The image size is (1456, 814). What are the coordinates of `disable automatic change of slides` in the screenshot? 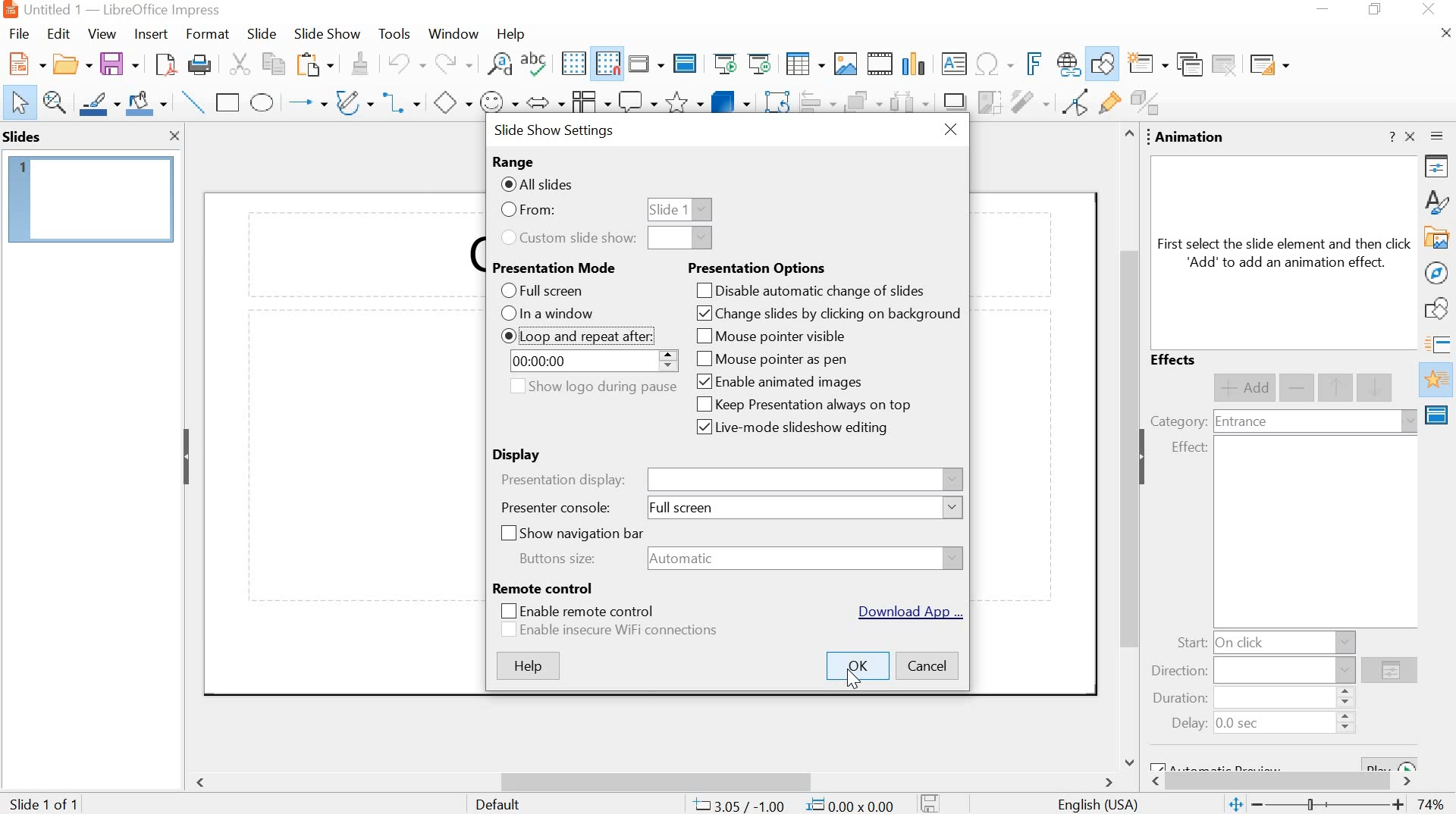 It's located at (811, 291).